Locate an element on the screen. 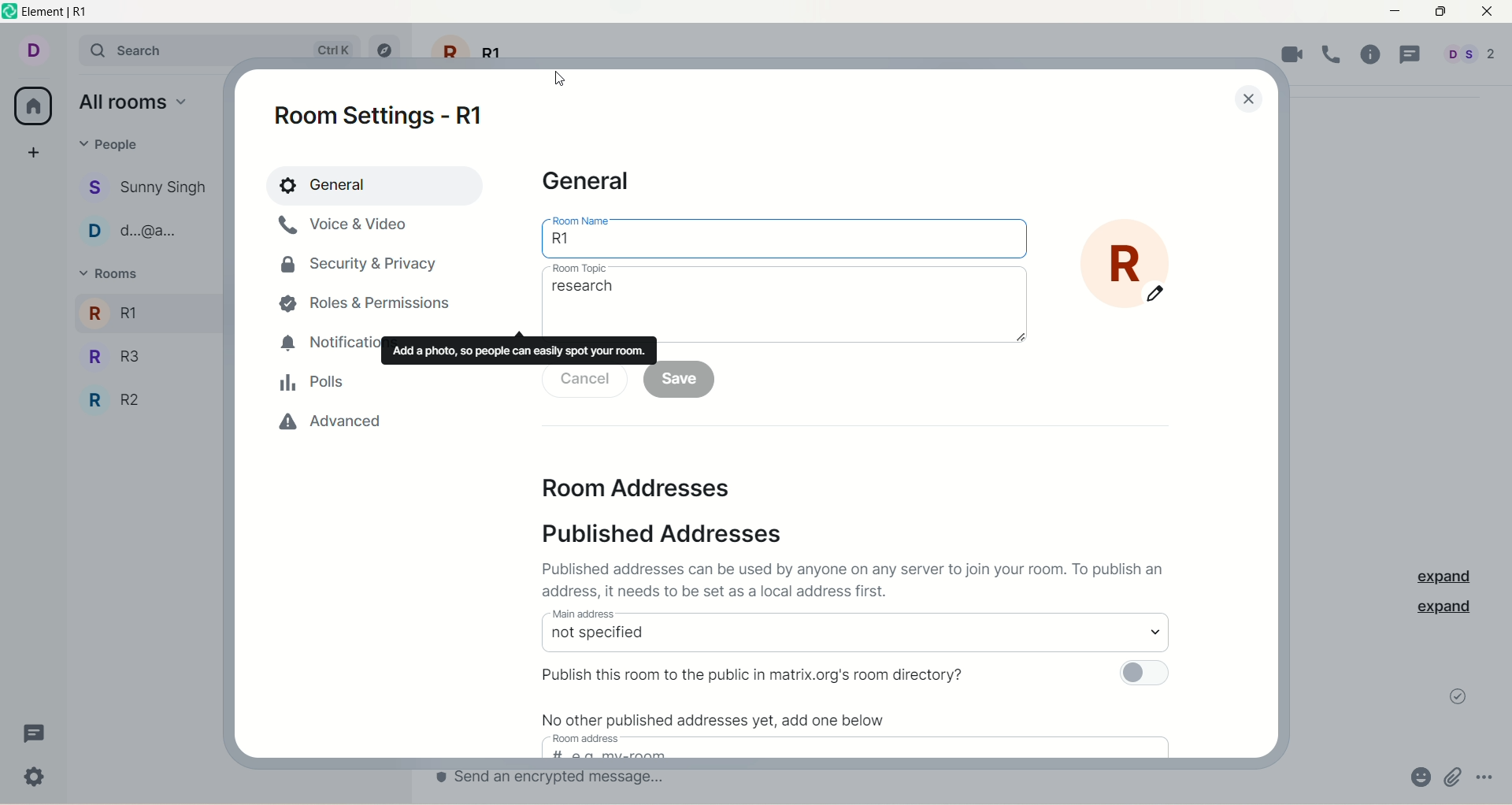  all room is located at coordinates (31, 107).